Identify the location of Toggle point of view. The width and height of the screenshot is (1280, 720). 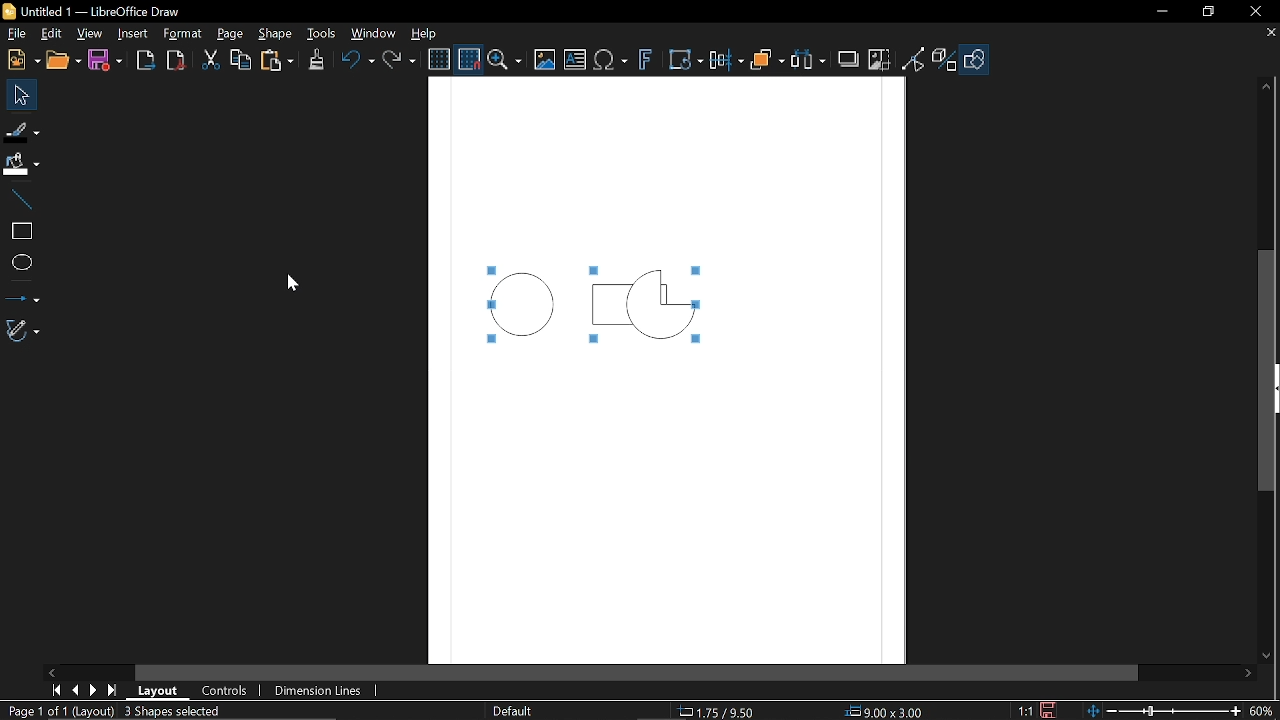
(913, 59).